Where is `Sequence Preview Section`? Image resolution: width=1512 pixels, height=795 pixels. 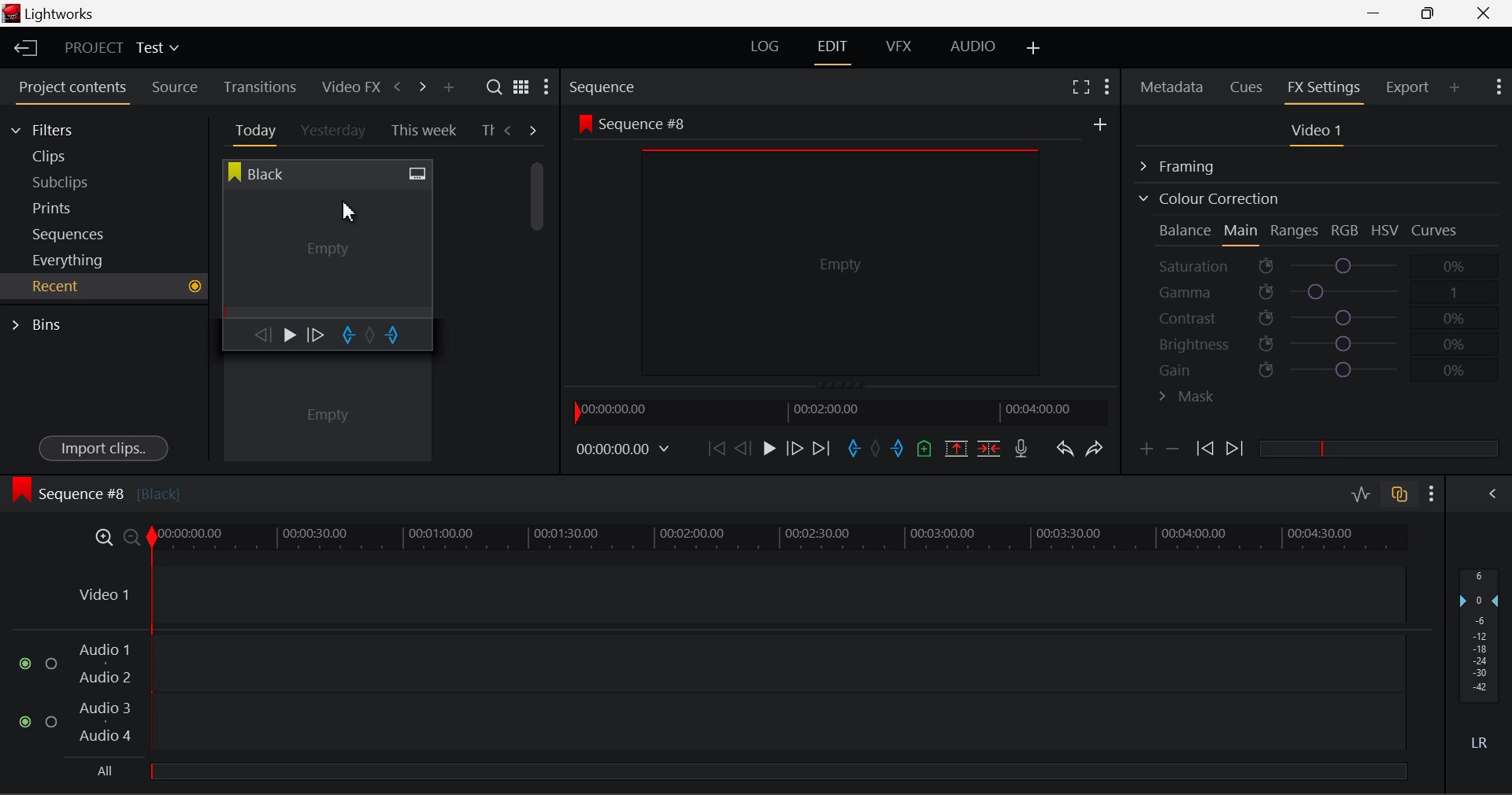
Sequence Preview Section is located at coordinates (606, 88).